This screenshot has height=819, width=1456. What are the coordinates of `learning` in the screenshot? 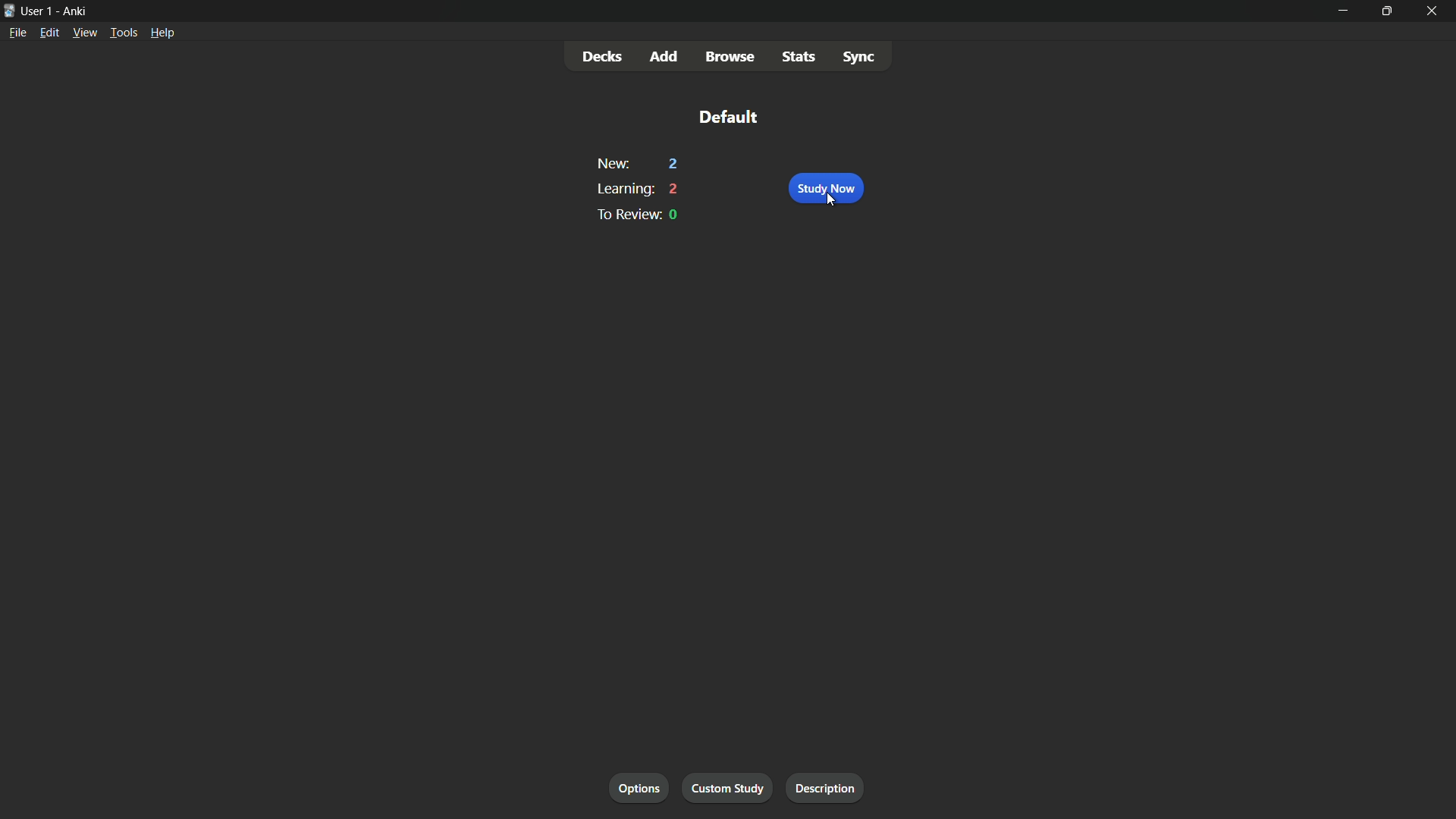 It's located at (624, 189).